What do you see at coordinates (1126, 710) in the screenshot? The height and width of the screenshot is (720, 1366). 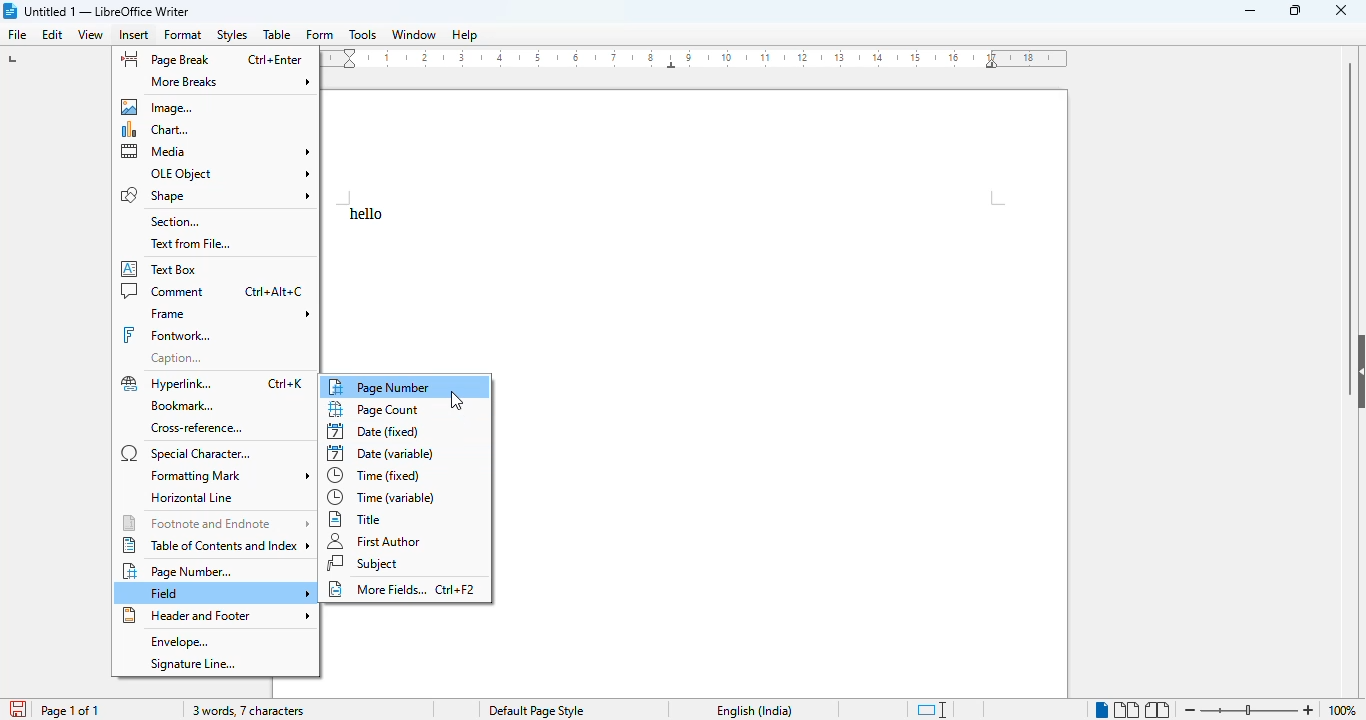 I see `multi-page view` at bounding box center [1126, 710].